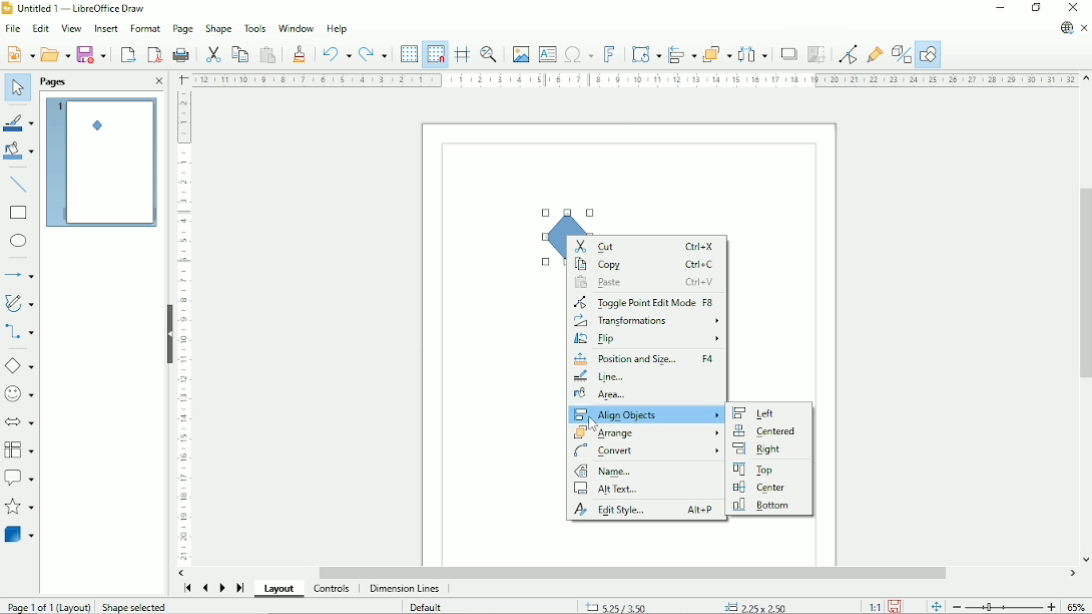 This screenshot has width=1092, height=614. Describe the element at coordinates (1065, 28) in the screenshot. I see `Update available` at that location.